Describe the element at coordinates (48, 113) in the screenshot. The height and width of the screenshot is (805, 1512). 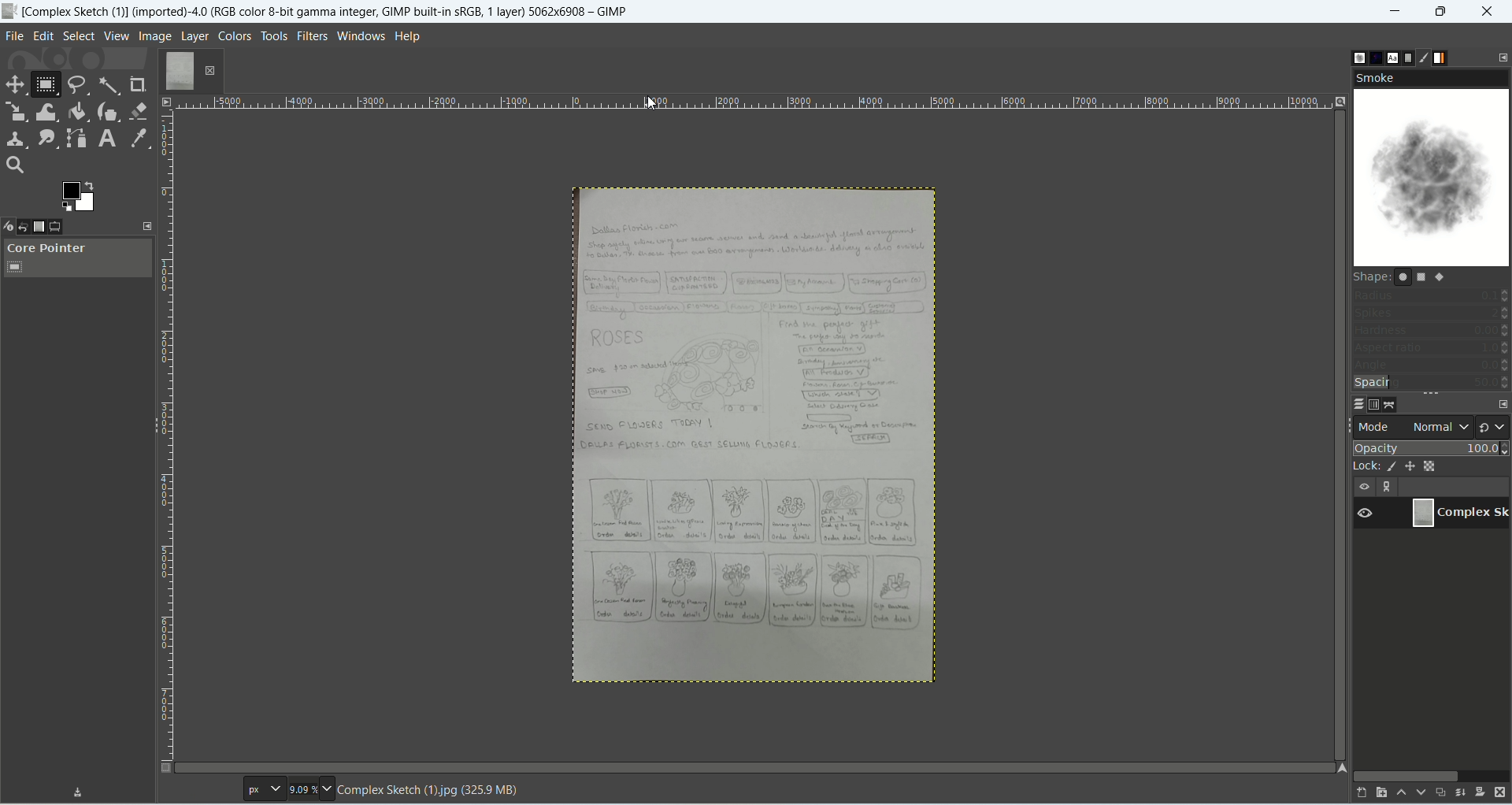
I see `warp transform` at that location.